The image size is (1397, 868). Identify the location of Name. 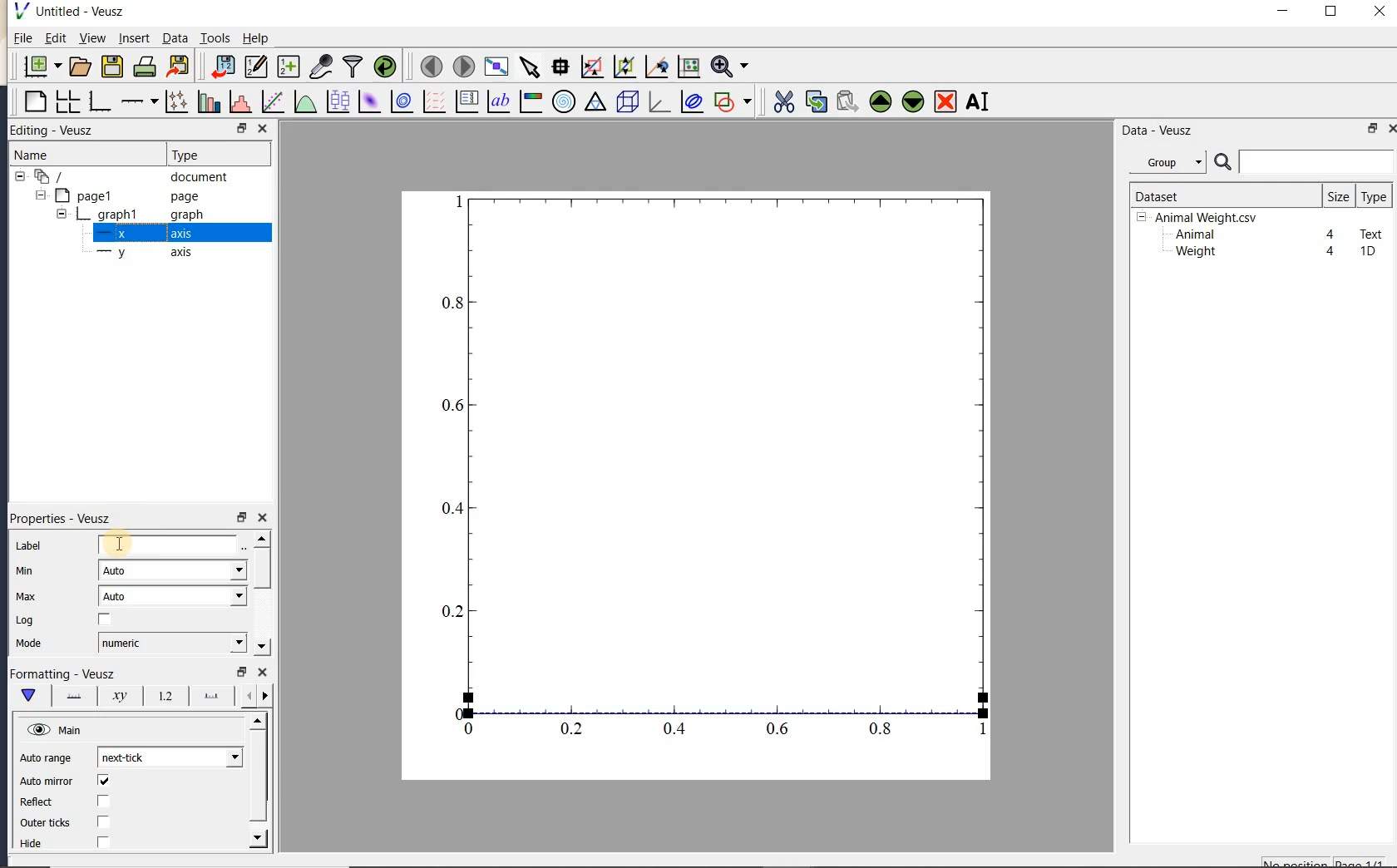
(49, 155).